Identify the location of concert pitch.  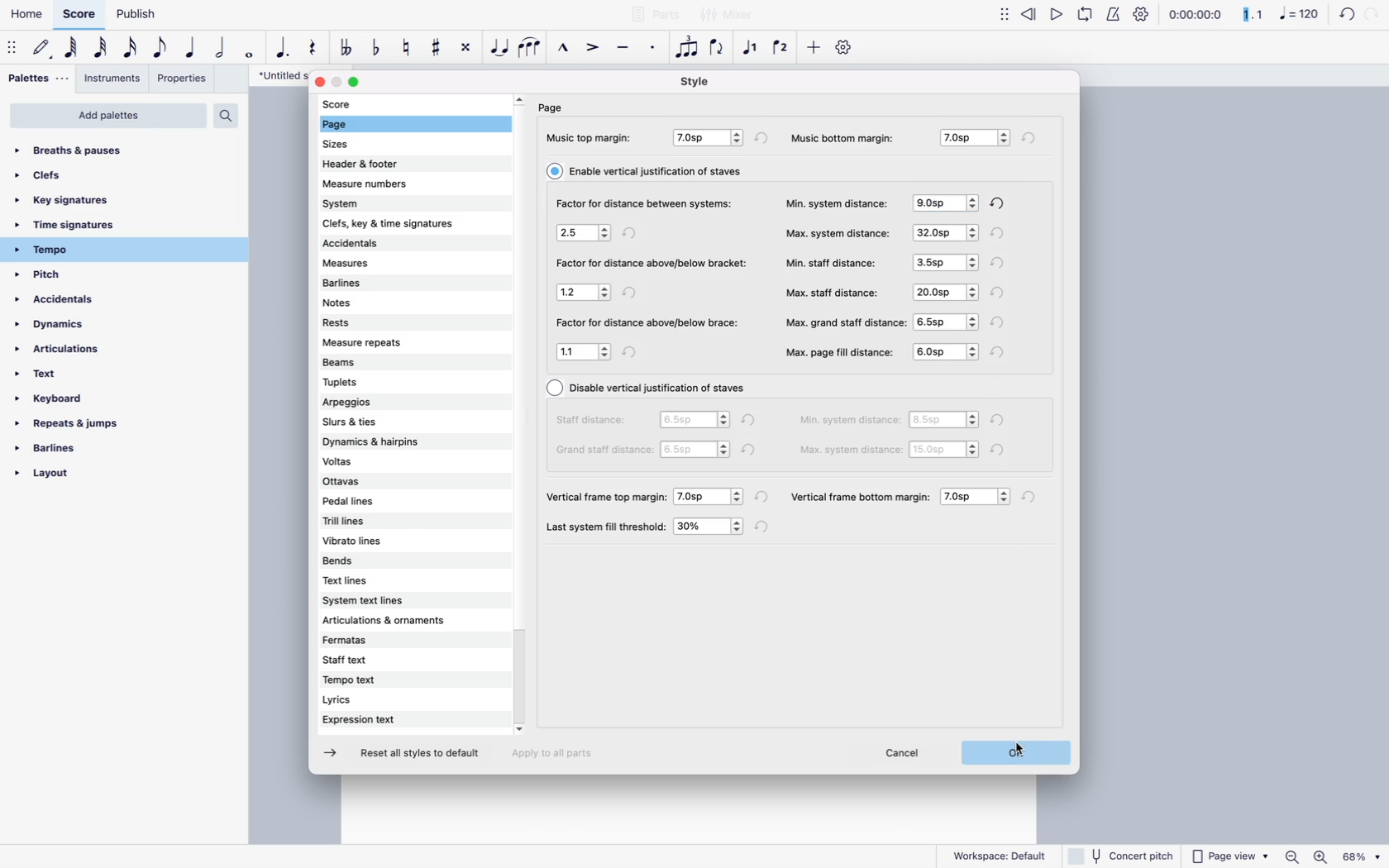
(1122, 855).